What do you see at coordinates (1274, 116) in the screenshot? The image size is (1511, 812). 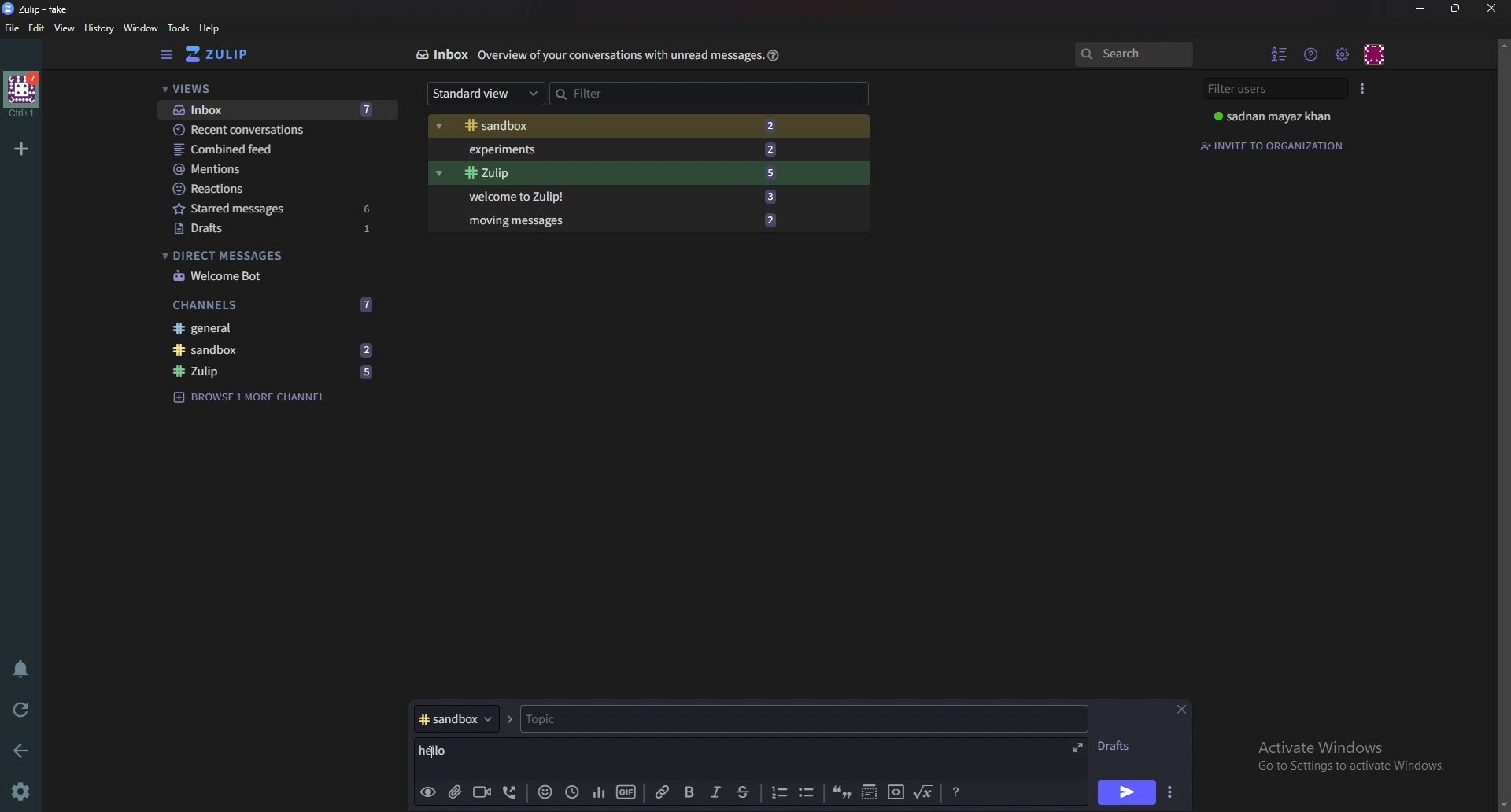 I see `sadnan mayaz khan` at bounding box center [1274, 116].